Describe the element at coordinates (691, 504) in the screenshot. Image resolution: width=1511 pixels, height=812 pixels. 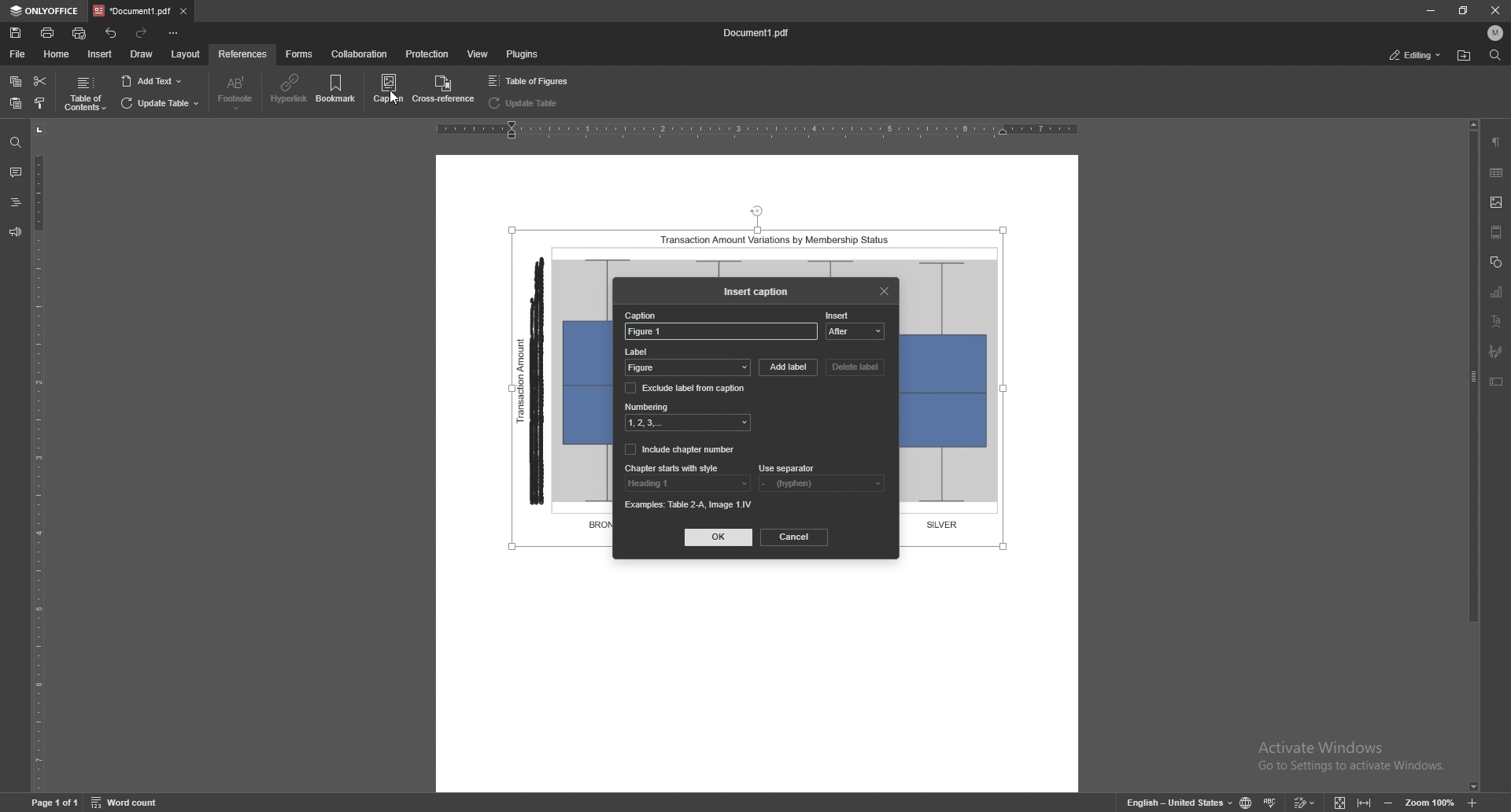
I see `example` at that location.